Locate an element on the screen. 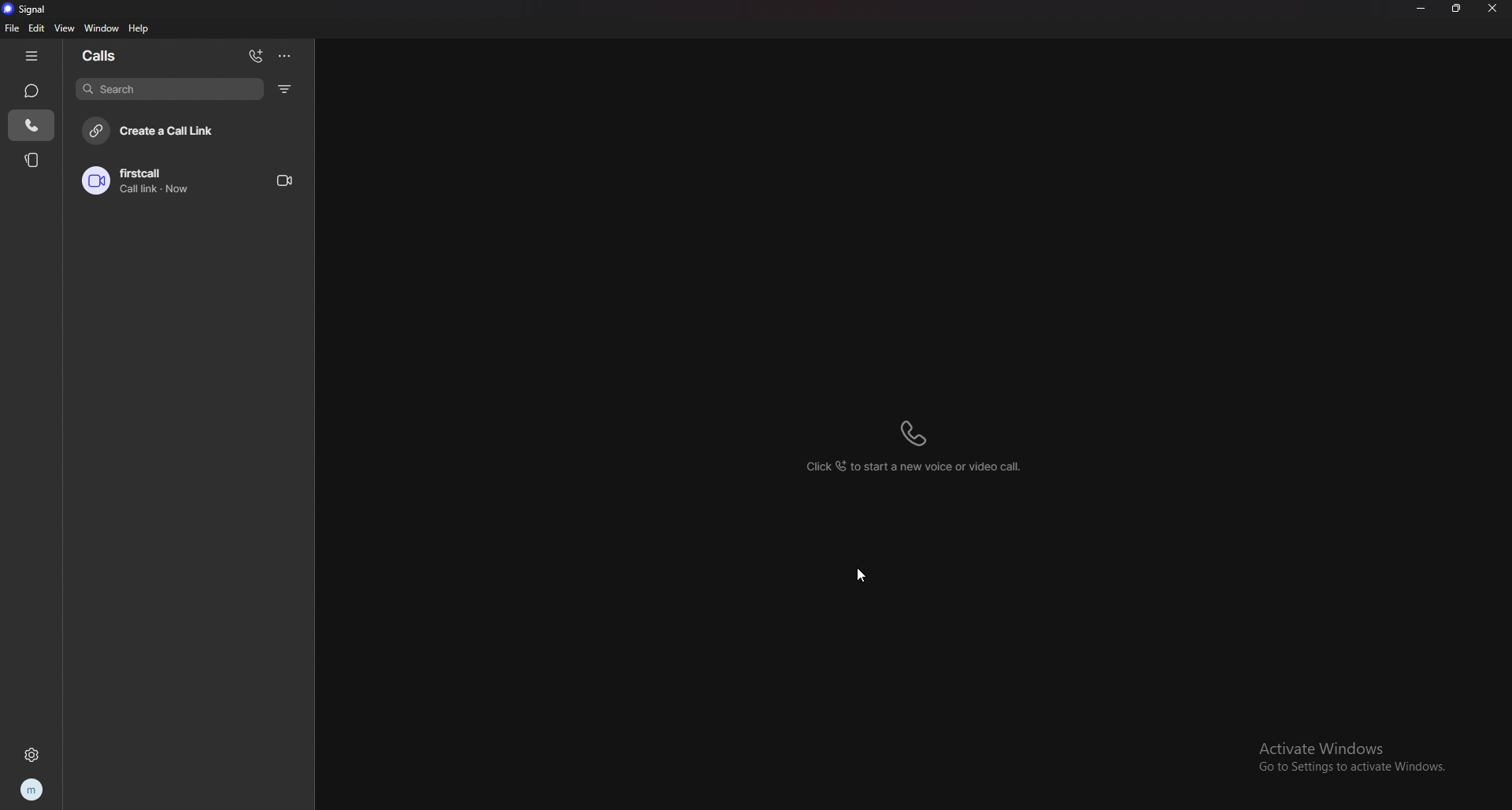 The width and height of the screenshot is (1512, 810). view is located at coordinates (65, 28).